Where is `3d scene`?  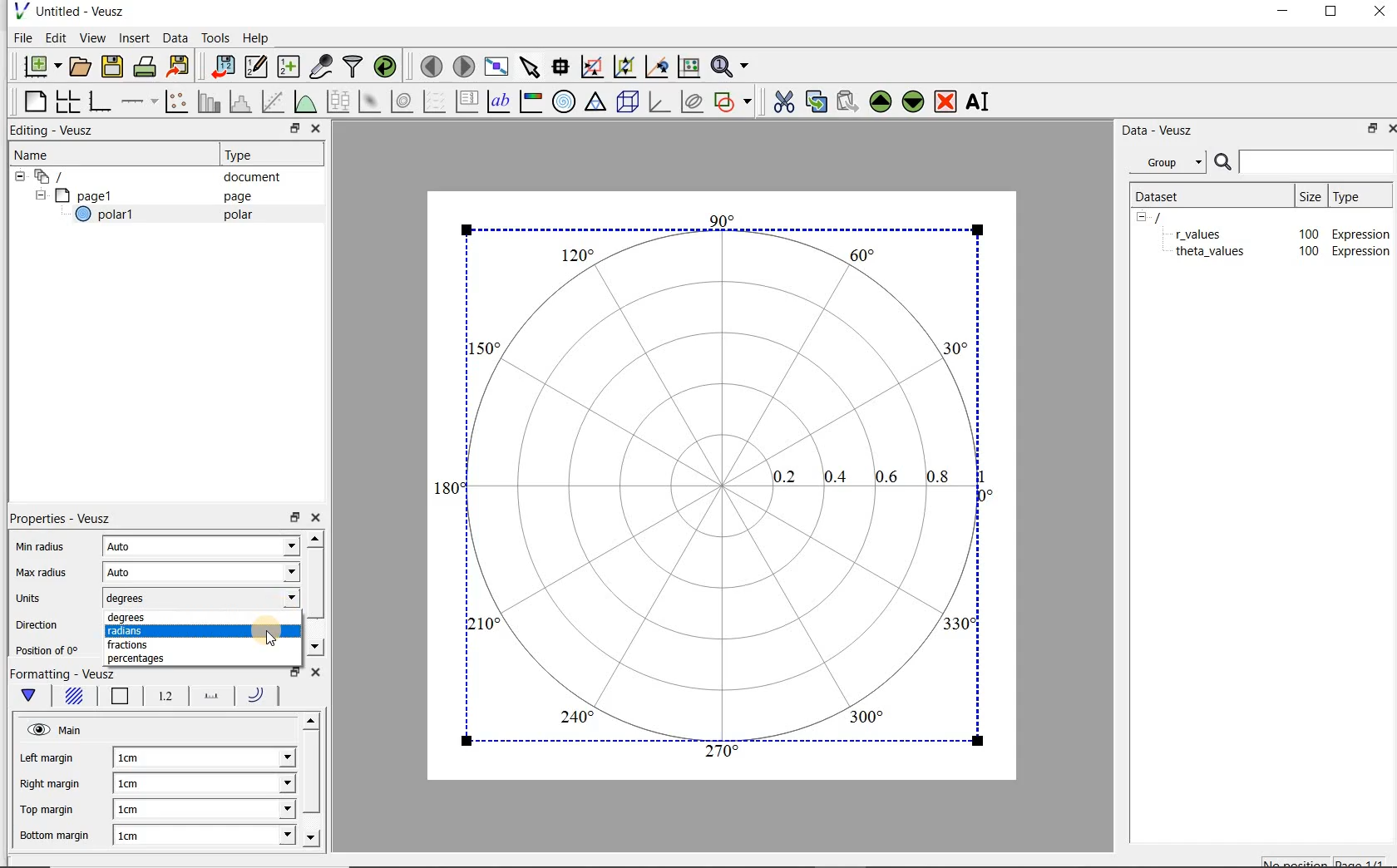
3d scene is located at coordinates (629, 103).